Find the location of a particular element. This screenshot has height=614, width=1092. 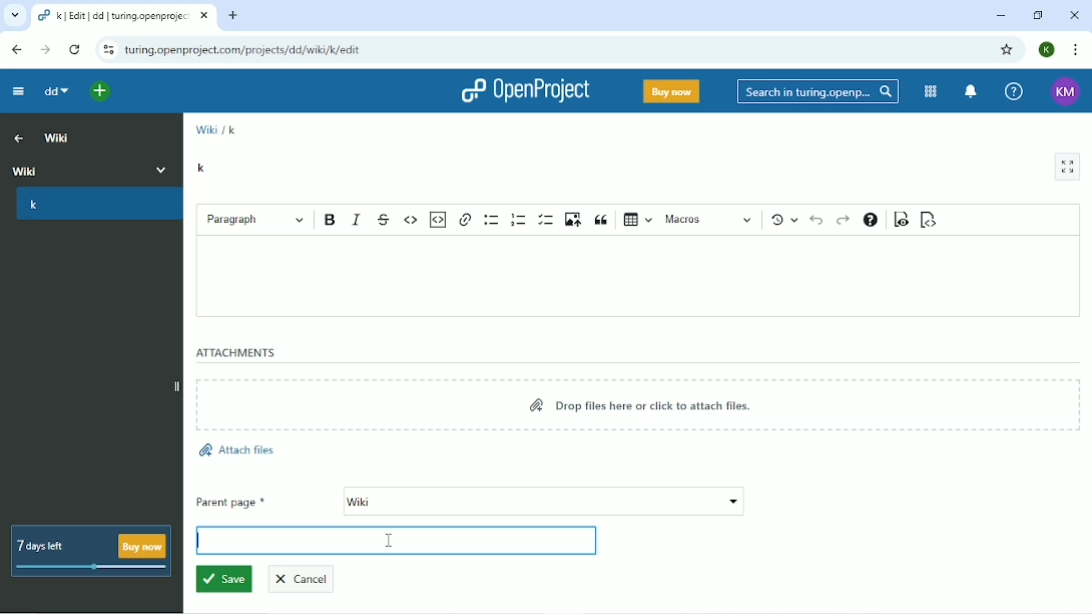

Modules is located at coordinates (931, 92).